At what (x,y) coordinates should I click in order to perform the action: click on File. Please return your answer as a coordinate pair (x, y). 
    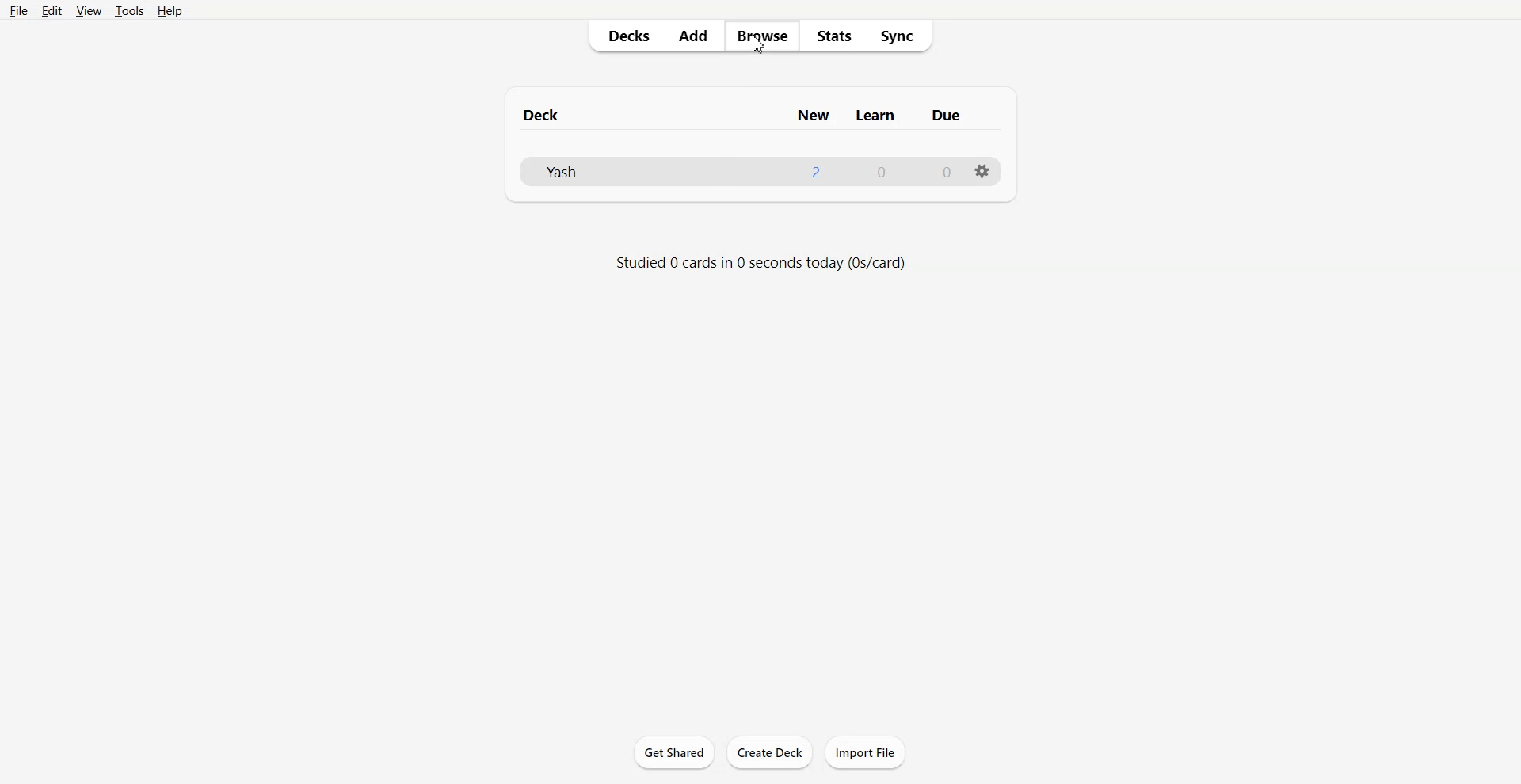
    Looking at the image, I should click on (20, 10).